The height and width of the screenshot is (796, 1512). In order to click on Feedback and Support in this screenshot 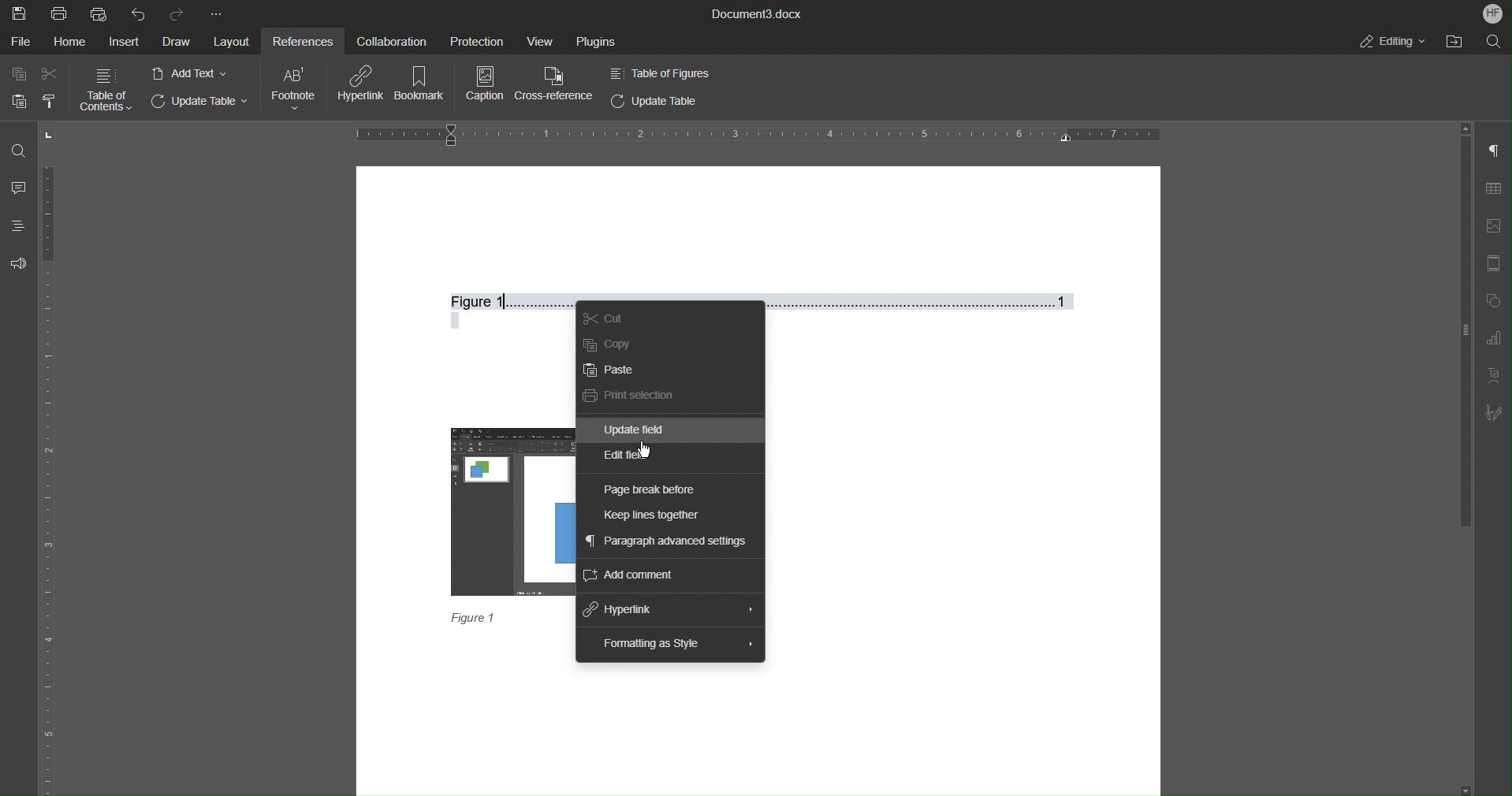, I will do `click(17, 264)`.